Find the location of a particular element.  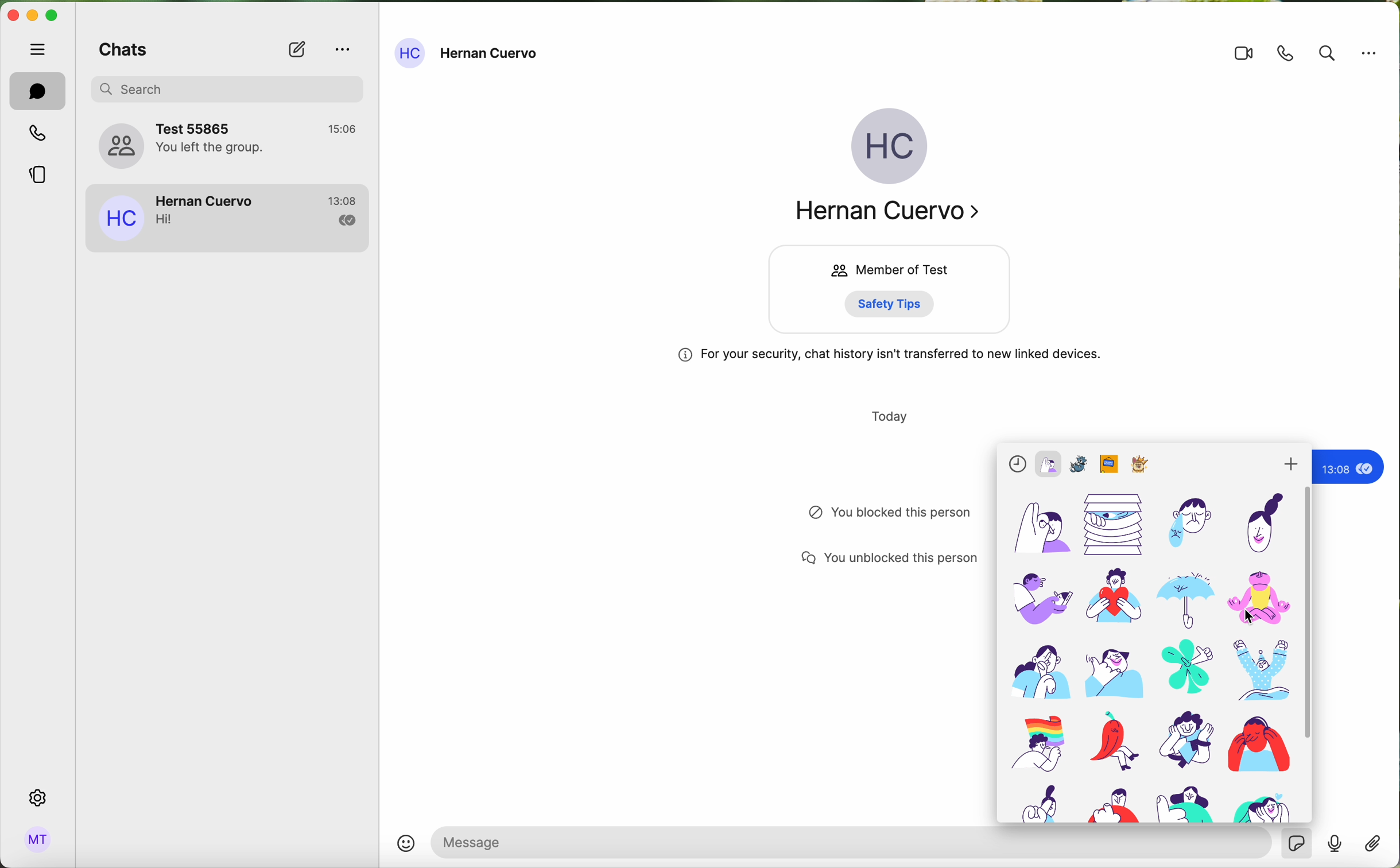

you un blocked this person is located at coordinates (883, 559).